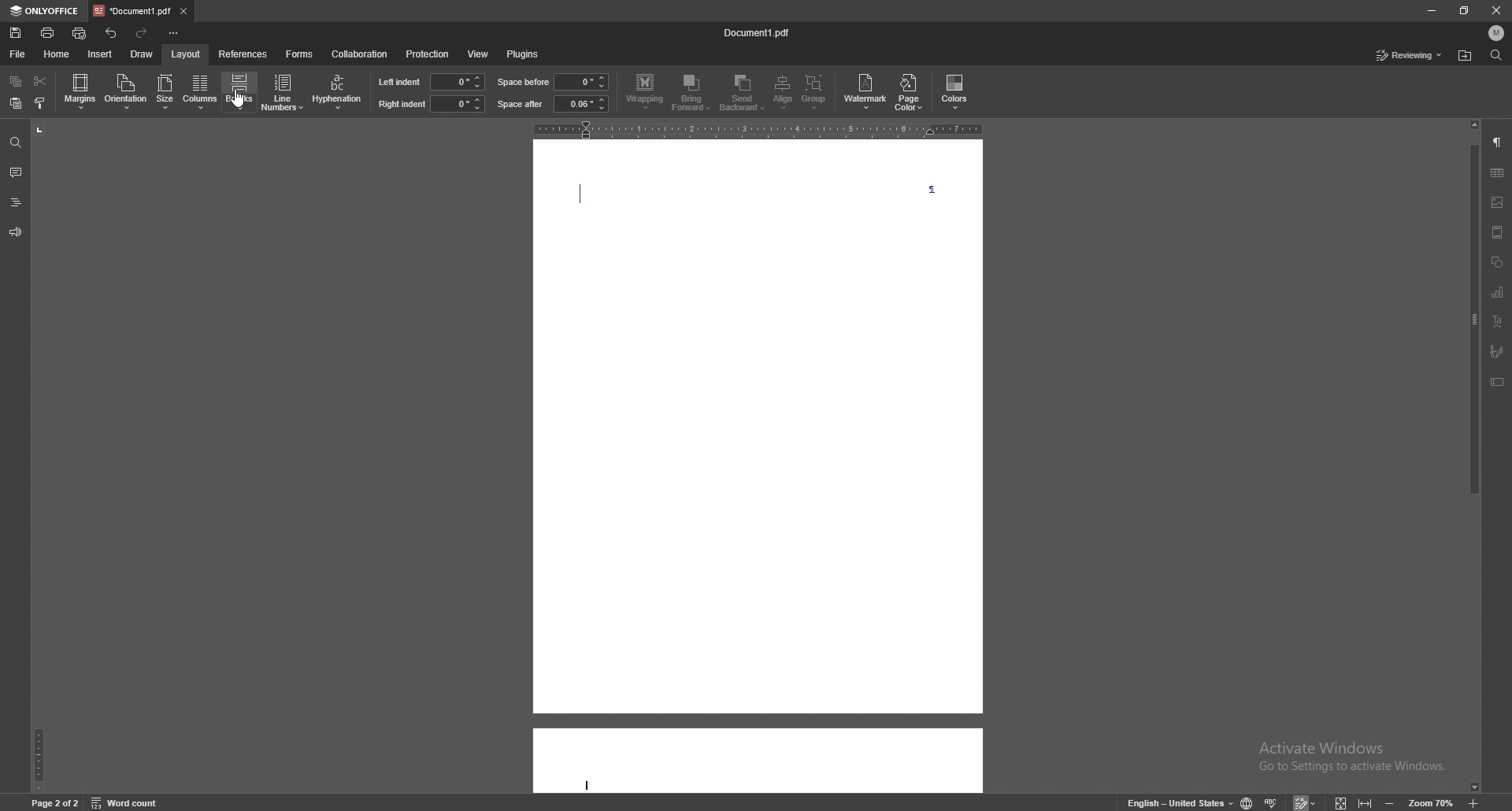  I want to click on Input right indent, so click(457, 104).